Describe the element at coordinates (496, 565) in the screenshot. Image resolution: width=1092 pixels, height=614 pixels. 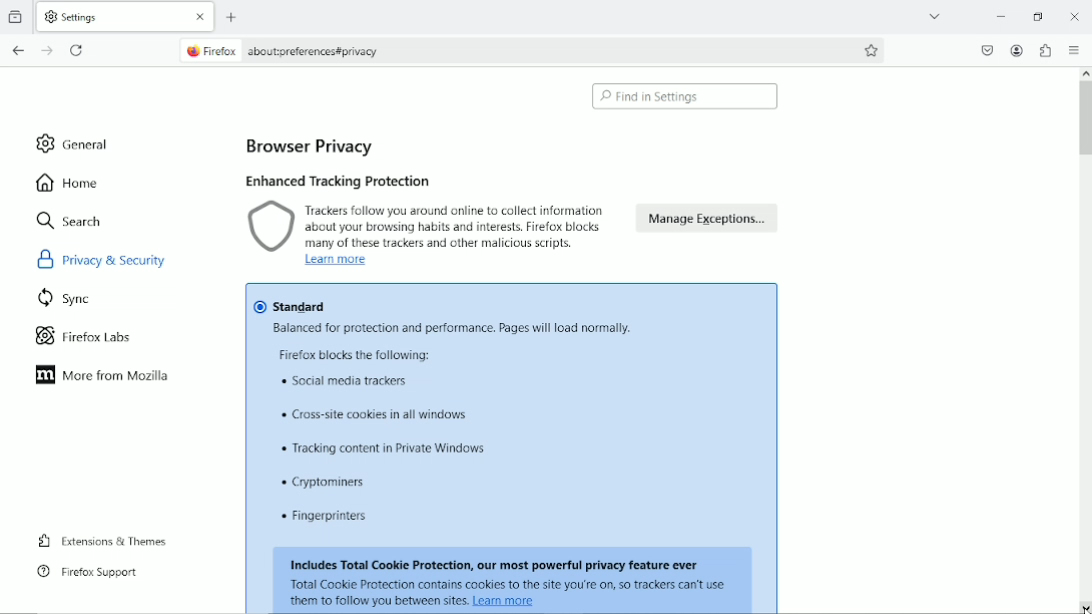
I see `text` at that location.